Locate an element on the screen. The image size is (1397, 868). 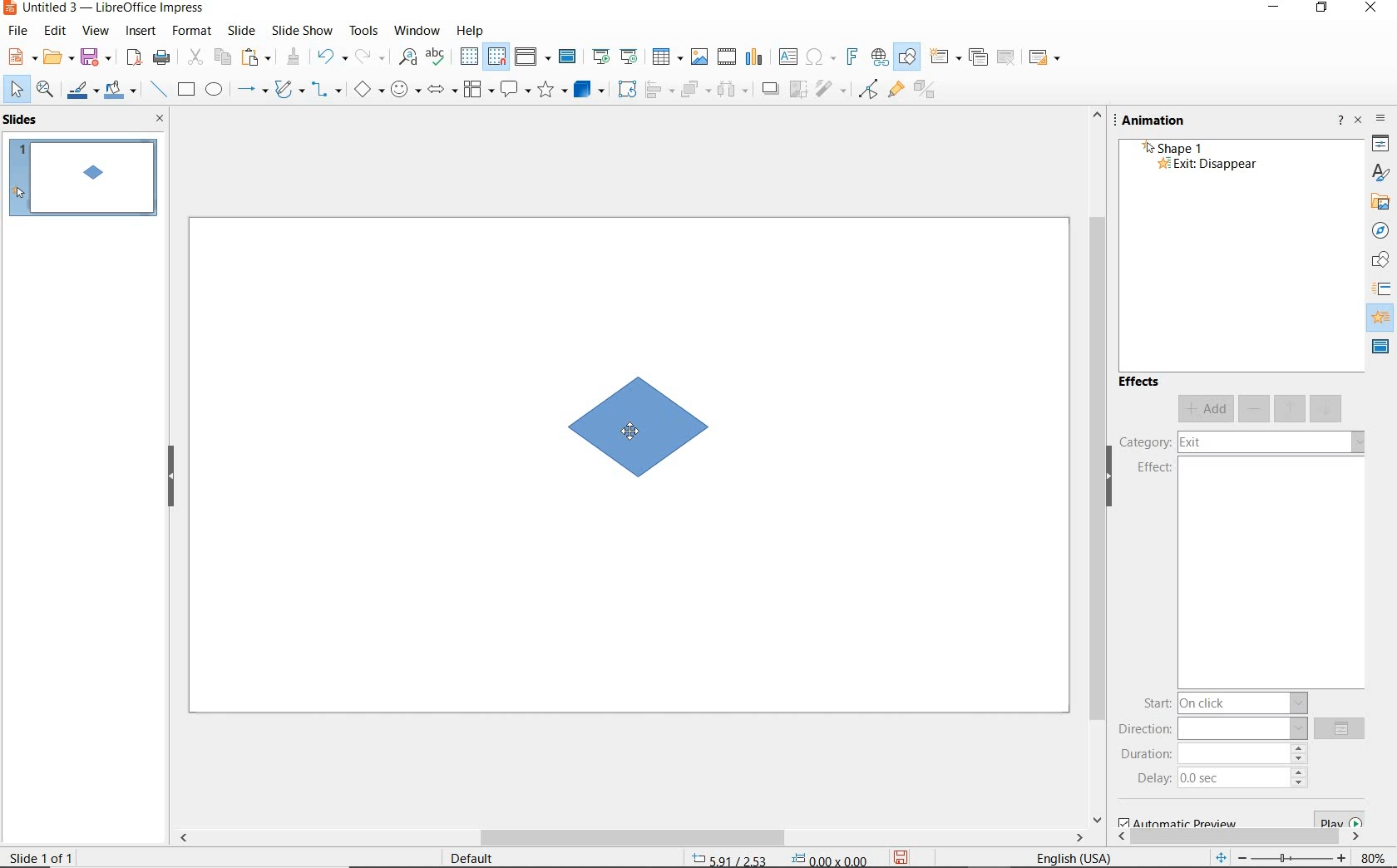
navigator is located at coordinates (1381, 230).